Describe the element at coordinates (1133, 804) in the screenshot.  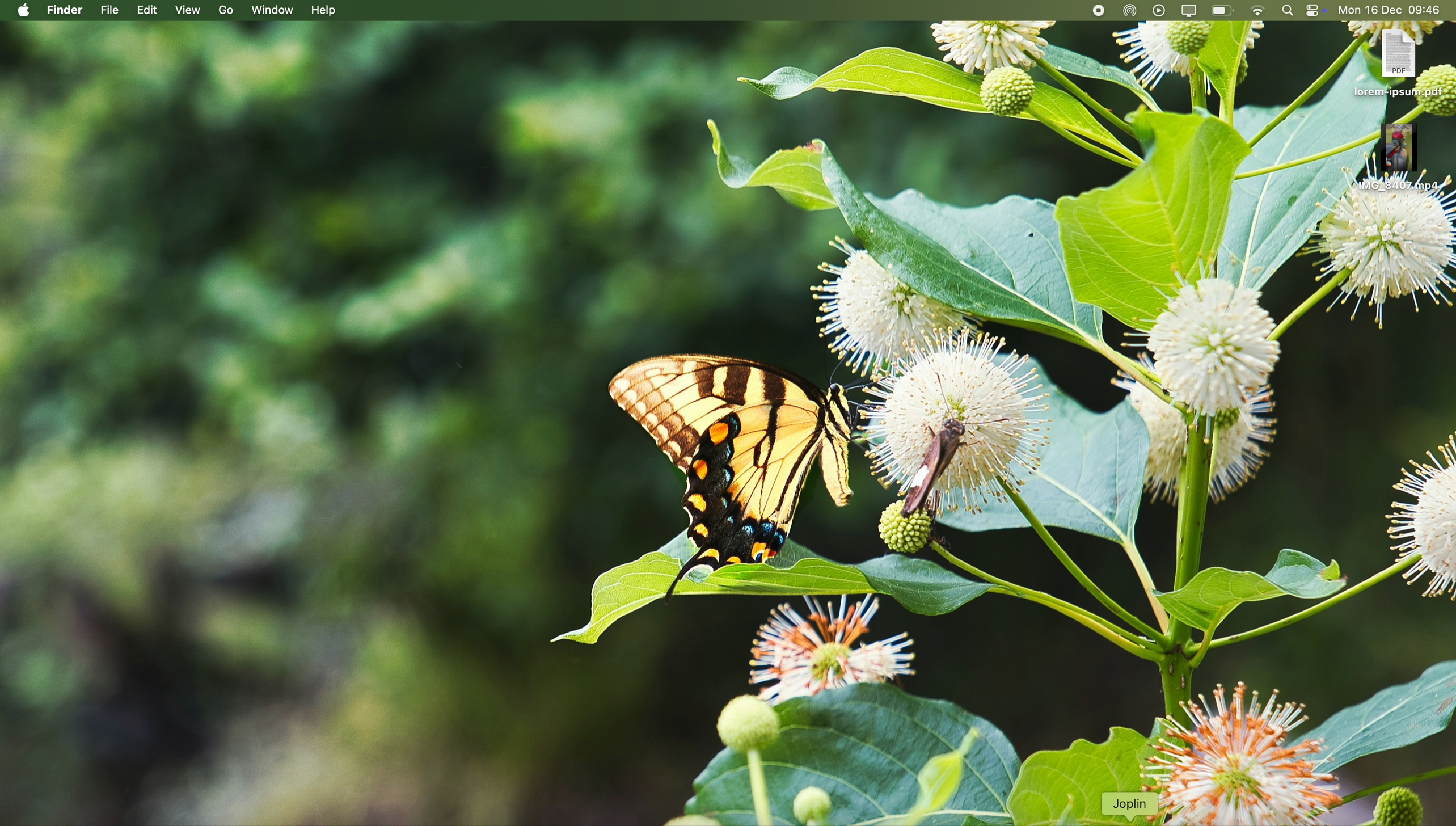
I see `Joplin` at that location.